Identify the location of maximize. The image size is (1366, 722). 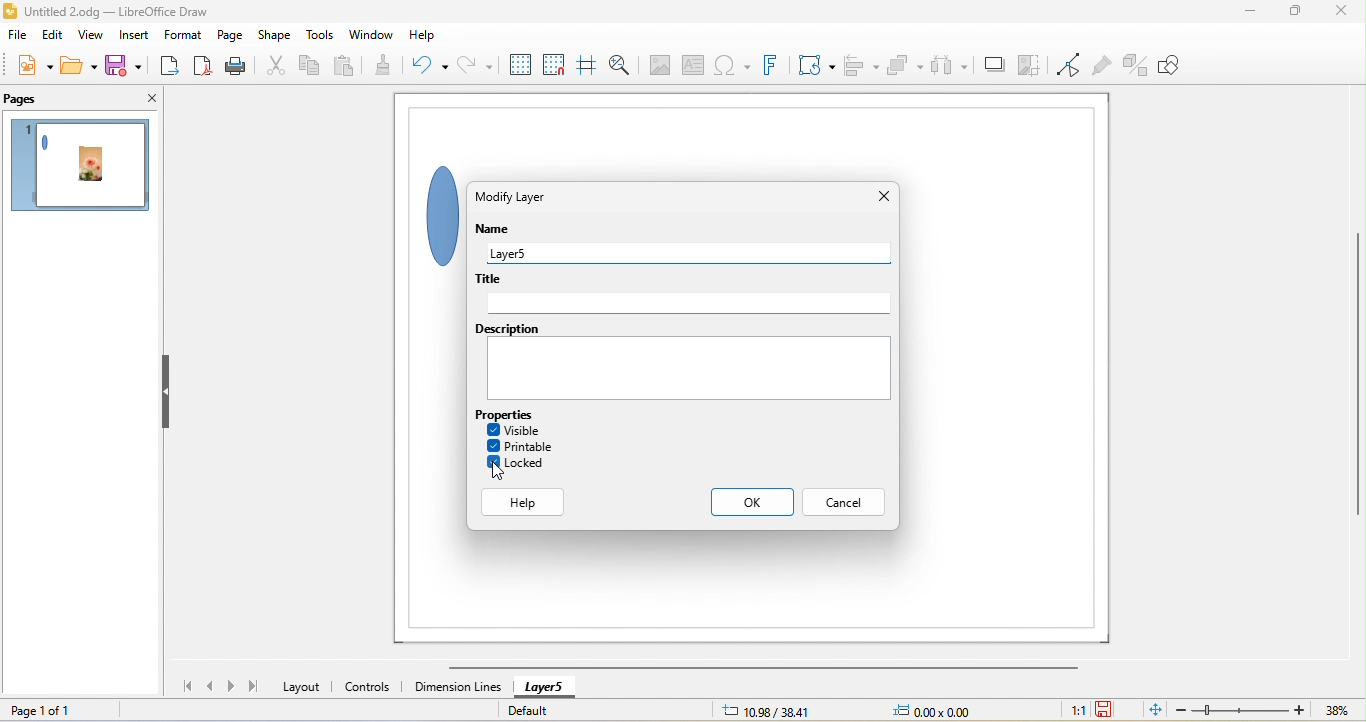
(1290, 14).